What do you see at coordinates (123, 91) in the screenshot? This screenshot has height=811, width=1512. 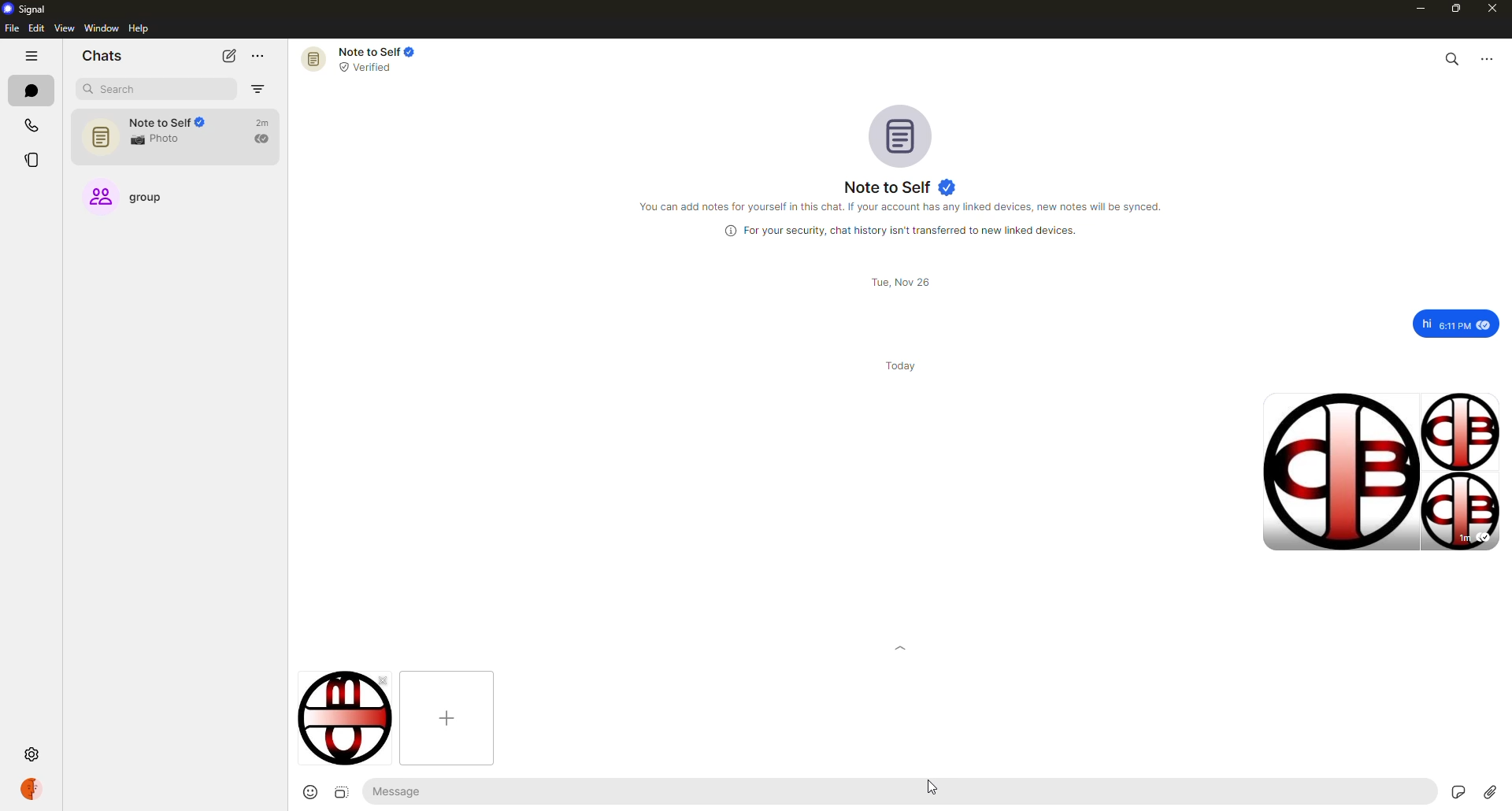 I see `search` at bounding box center [123, 91].